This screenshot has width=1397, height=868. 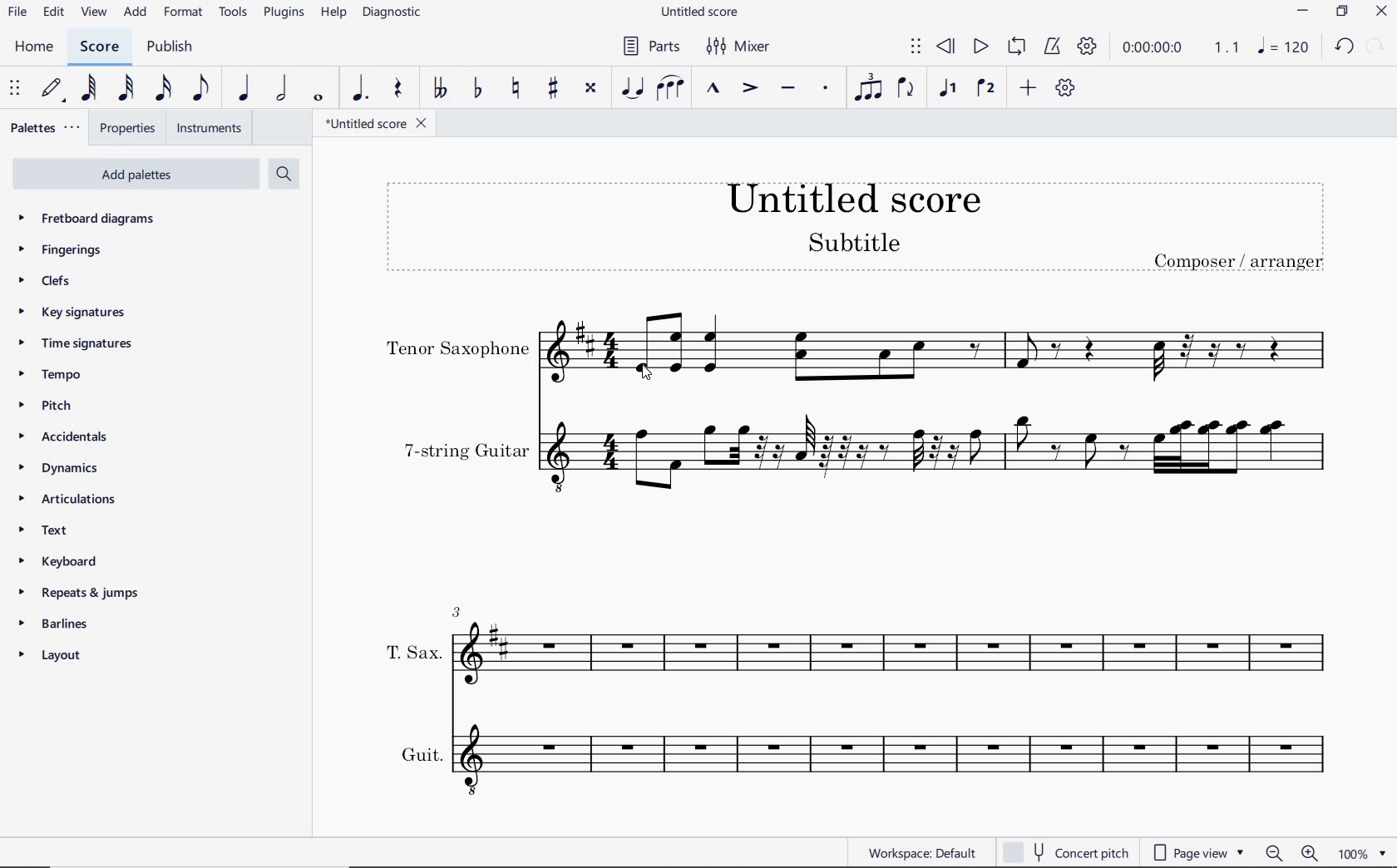 What do you see at coordinates (93, 12) in the screenshot?
I see `VIEW` at bounding box center [93, 12].